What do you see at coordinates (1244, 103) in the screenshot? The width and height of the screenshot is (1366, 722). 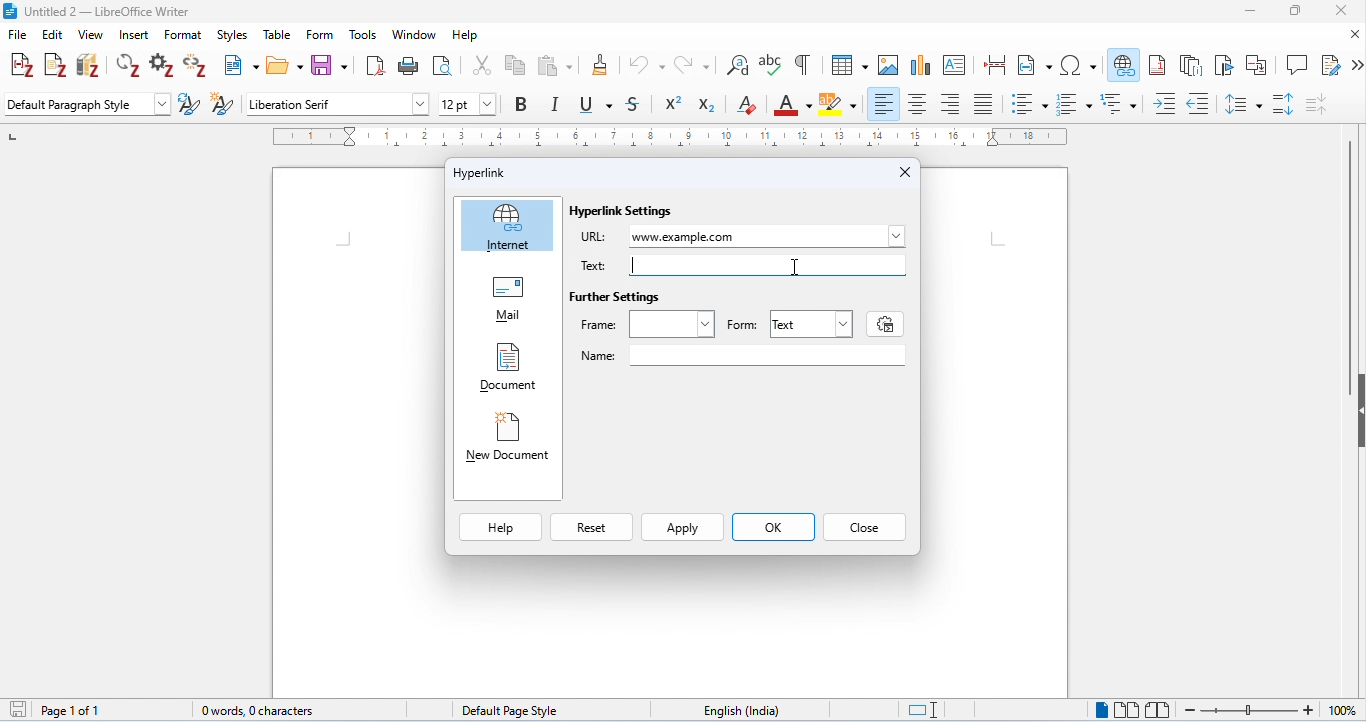 I see `line spacing` at bounding box center [1244, 103].